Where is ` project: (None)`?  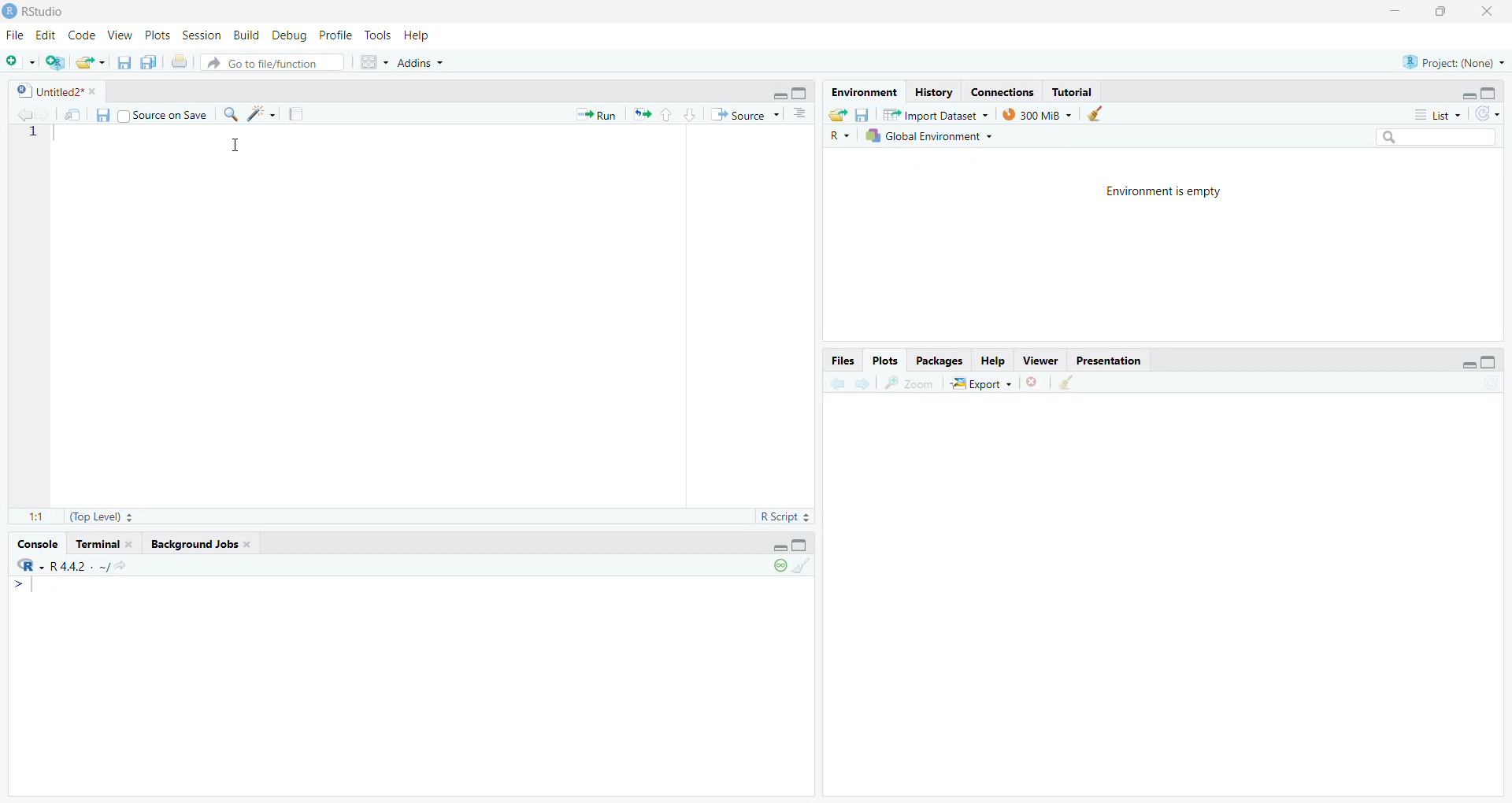  project: (None) is located at coordinates (1453, 61).